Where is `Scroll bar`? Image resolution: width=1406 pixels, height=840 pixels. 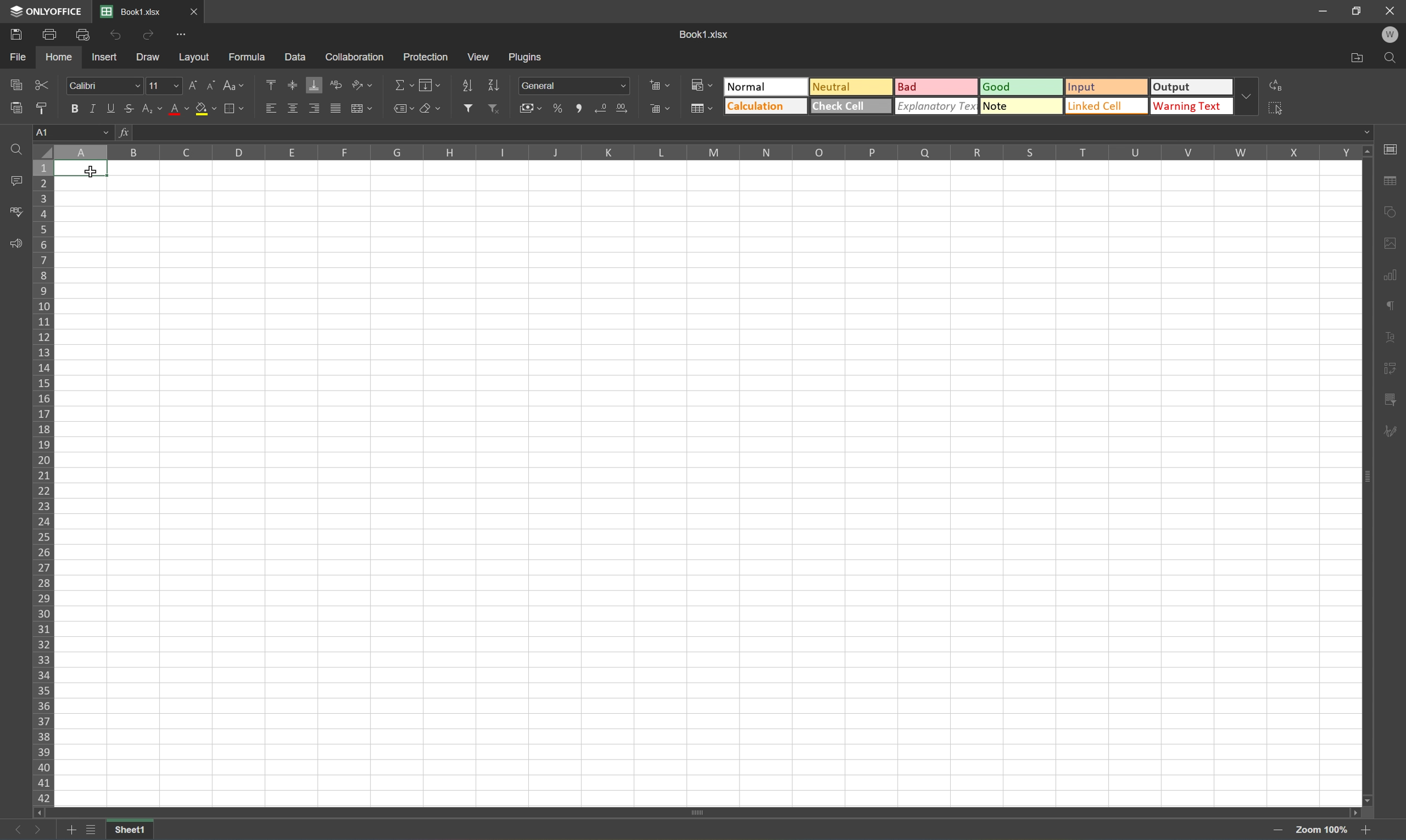
Scroll bar is located at coordinates (1364, 477).